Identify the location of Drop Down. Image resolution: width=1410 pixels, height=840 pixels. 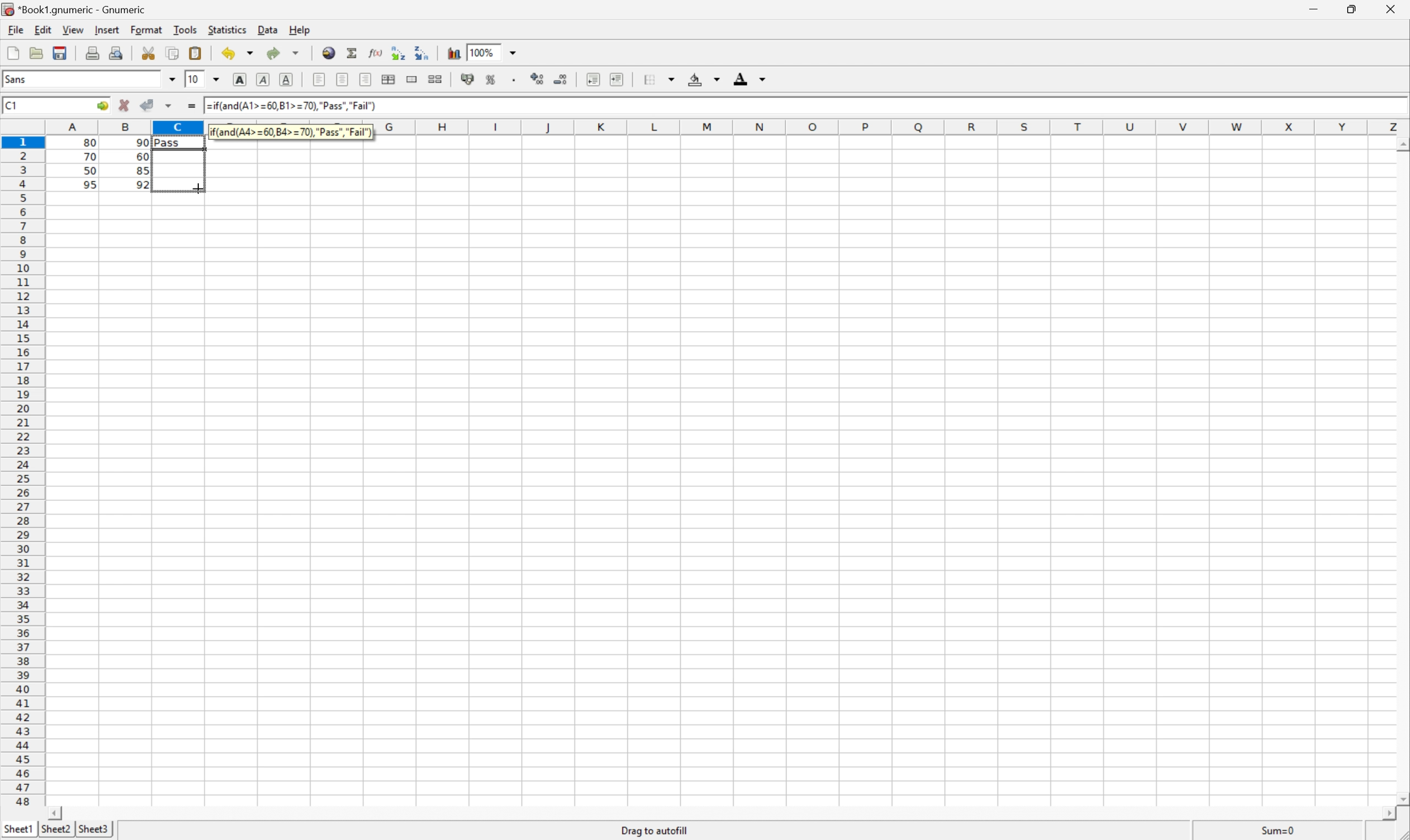
(248, 54).